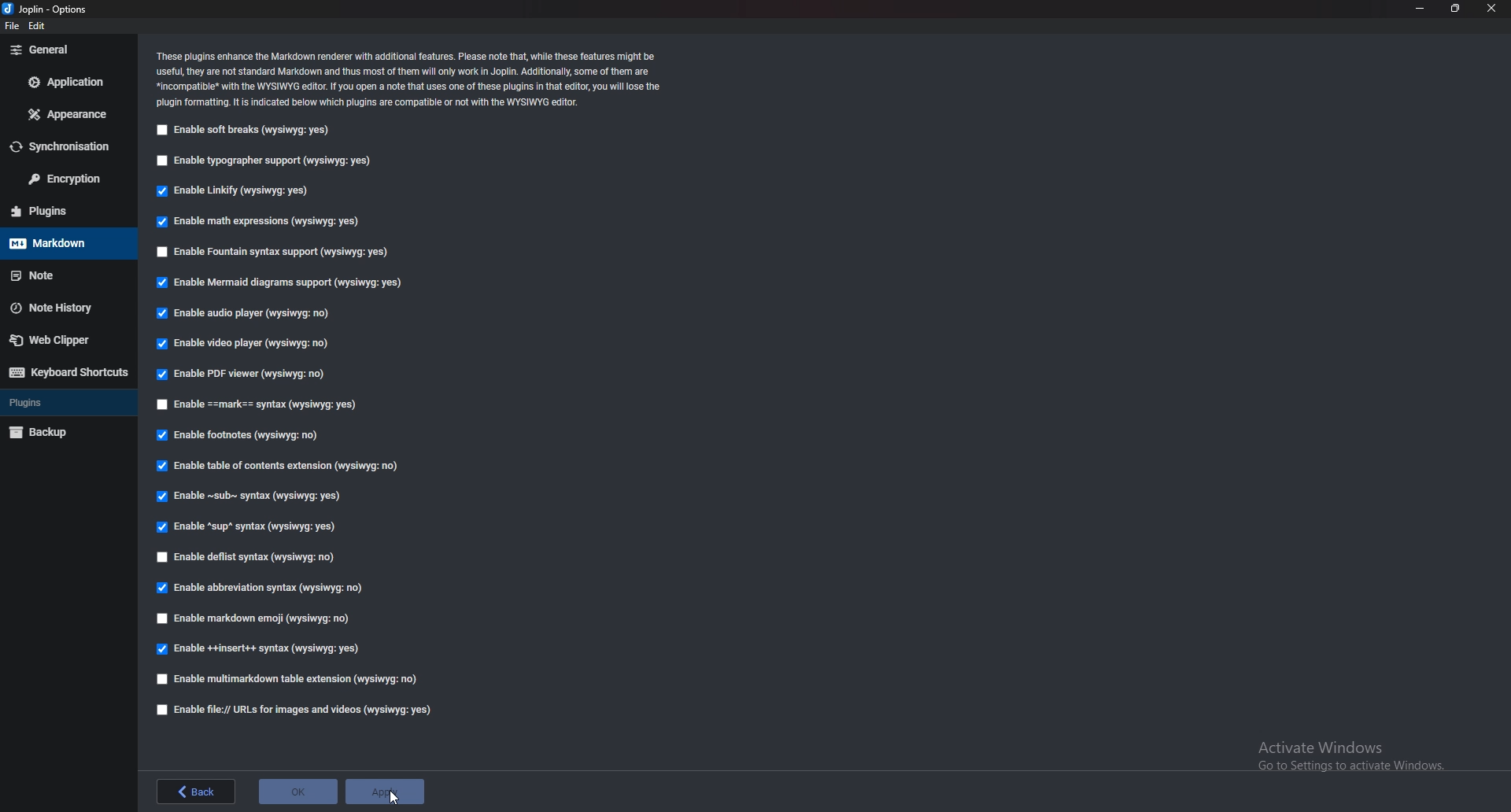 This screenshot has width=1511, height=812. I want to click on enable file urls for images and videos, so click(294, 711).